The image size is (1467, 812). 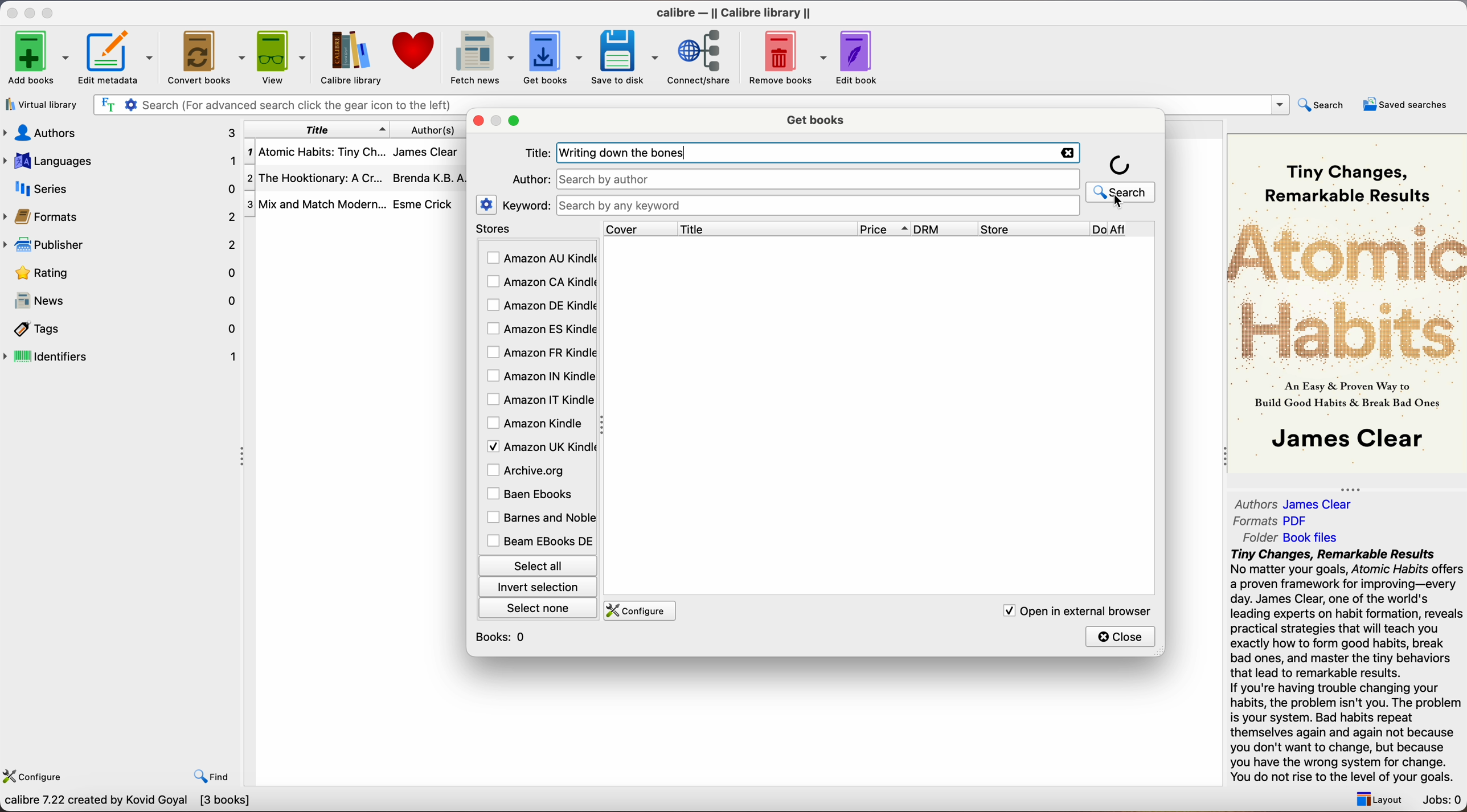 I want to click on synopsis, so click(x=1349, y=666).